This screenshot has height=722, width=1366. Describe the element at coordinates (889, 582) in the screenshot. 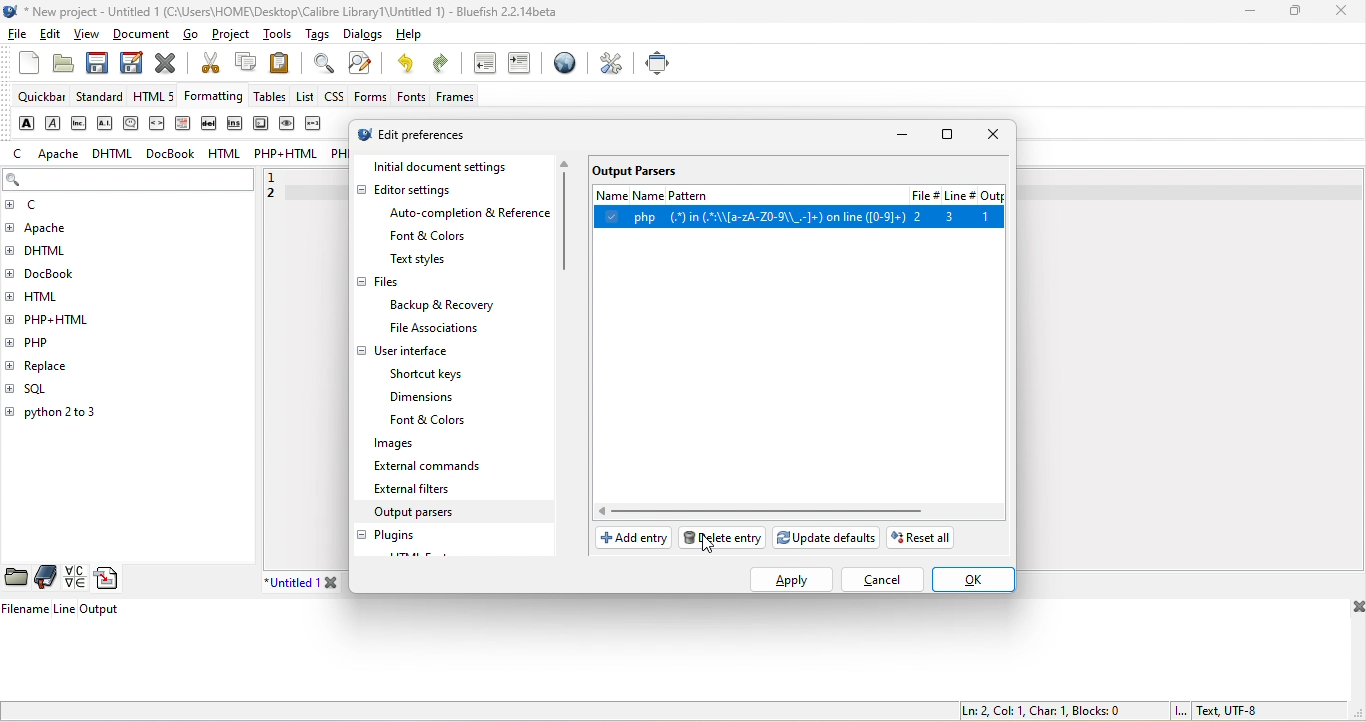

I see `cancel` at that location.